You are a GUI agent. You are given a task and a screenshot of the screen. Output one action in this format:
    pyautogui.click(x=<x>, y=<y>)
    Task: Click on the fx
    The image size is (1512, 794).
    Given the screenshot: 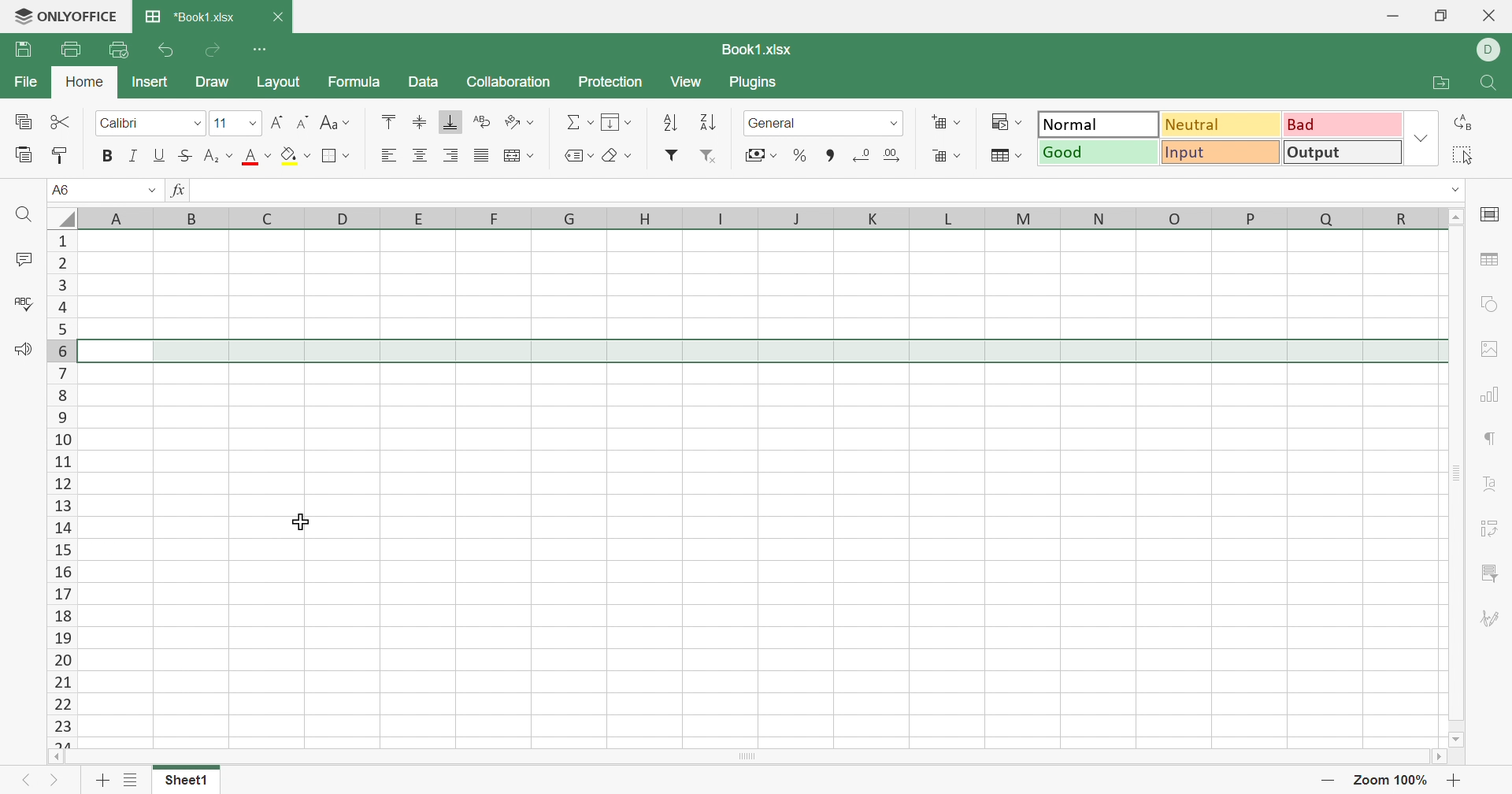 What is the action you would take?
    pyautogui.click(x=176, y=189)
    